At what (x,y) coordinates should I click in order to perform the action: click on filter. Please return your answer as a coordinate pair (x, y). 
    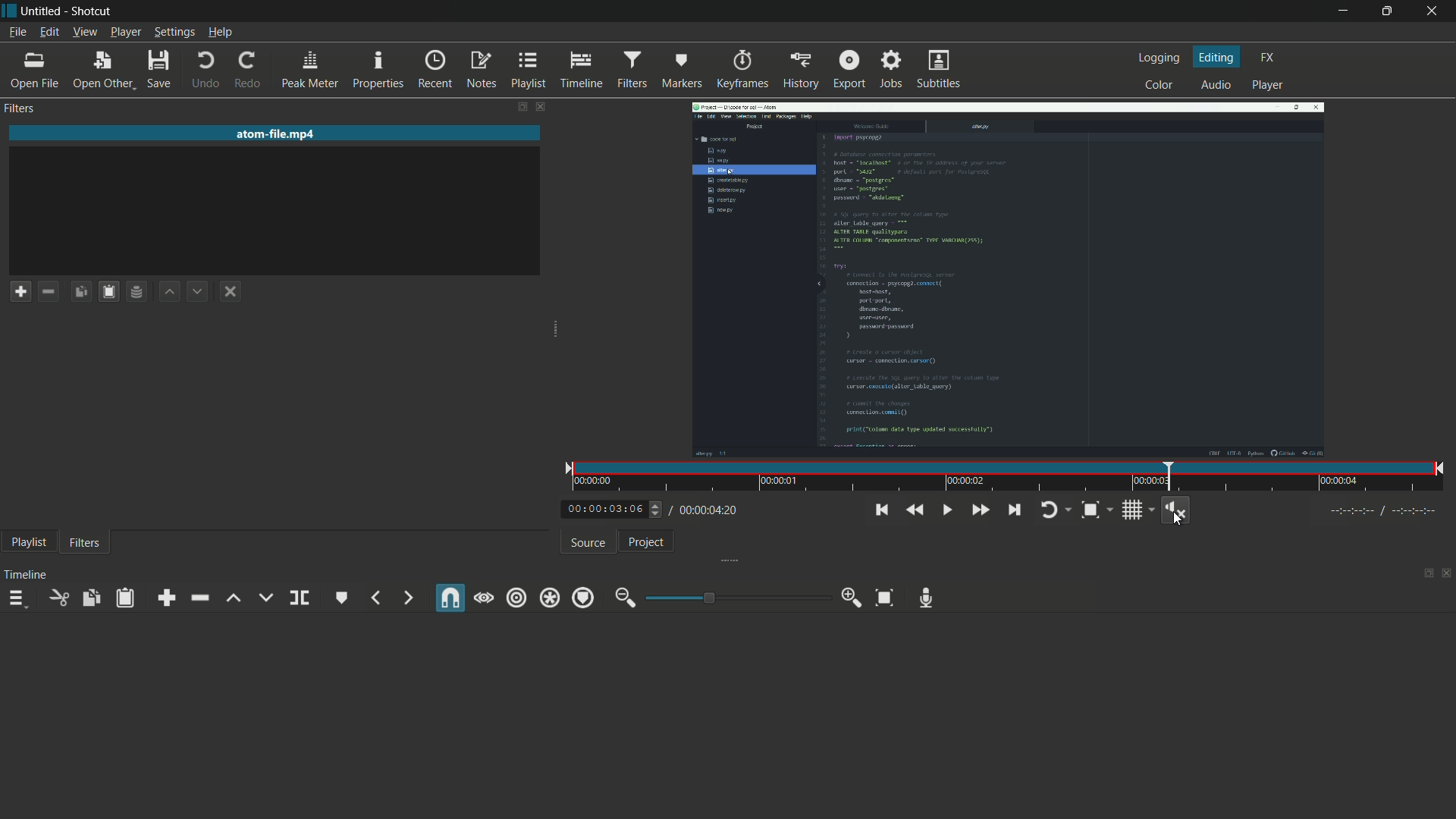
    Looking at the image, I should click on (86, 544).